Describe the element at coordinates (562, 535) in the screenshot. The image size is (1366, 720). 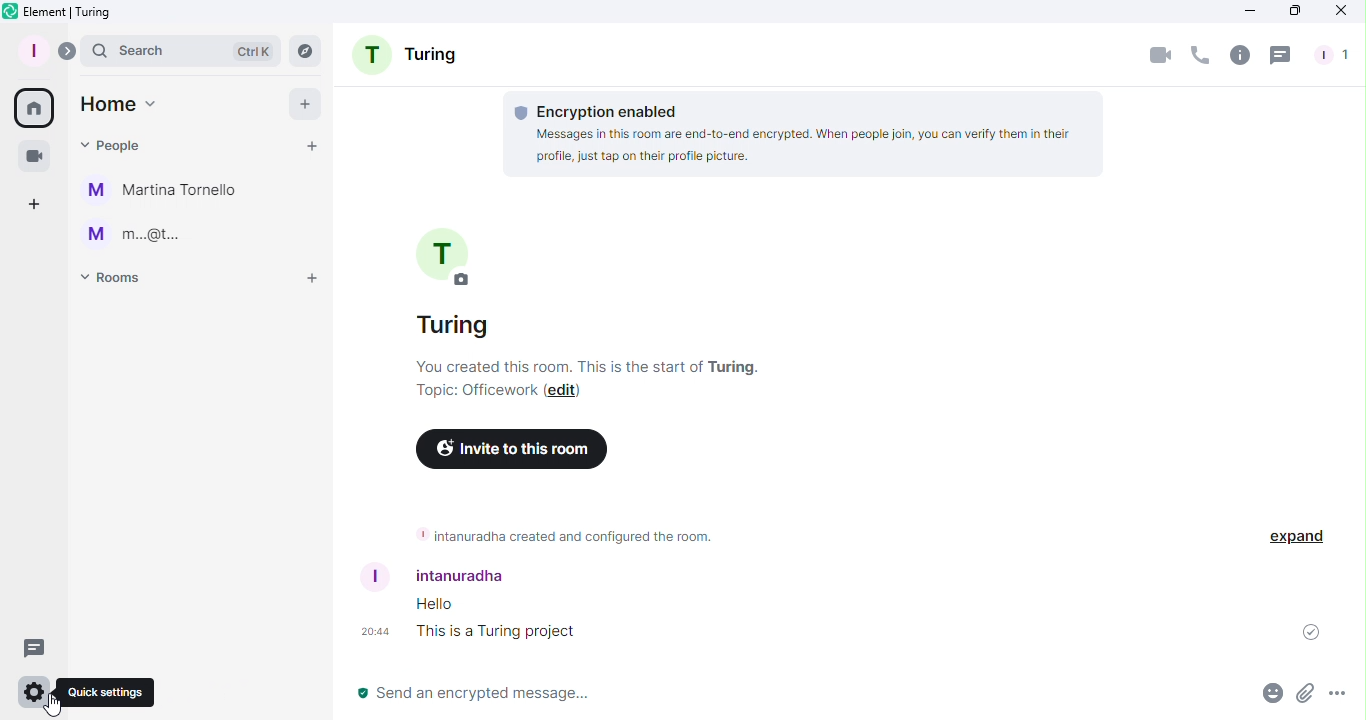
I see `Room information` at that location.